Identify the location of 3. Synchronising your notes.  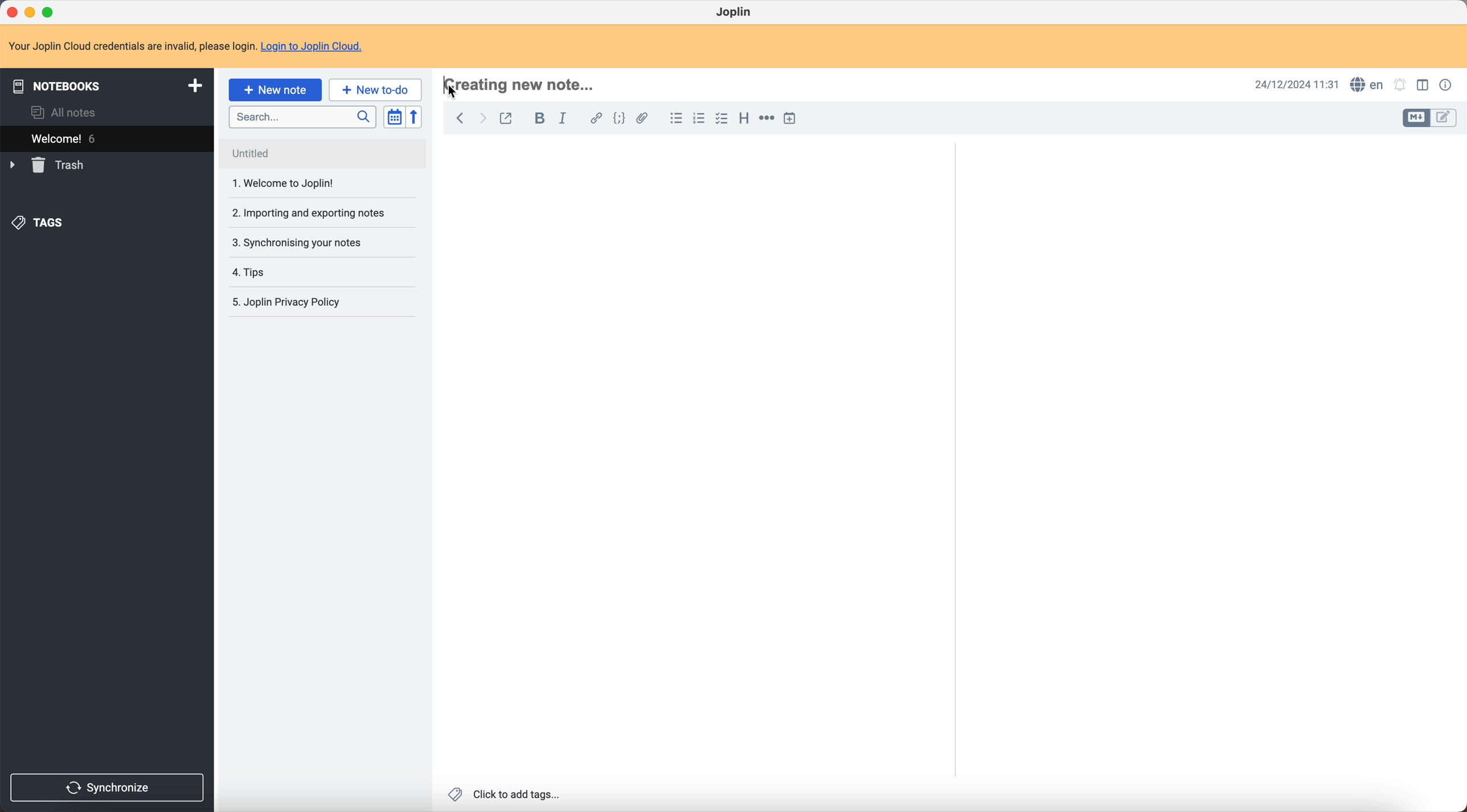
(301, 242).